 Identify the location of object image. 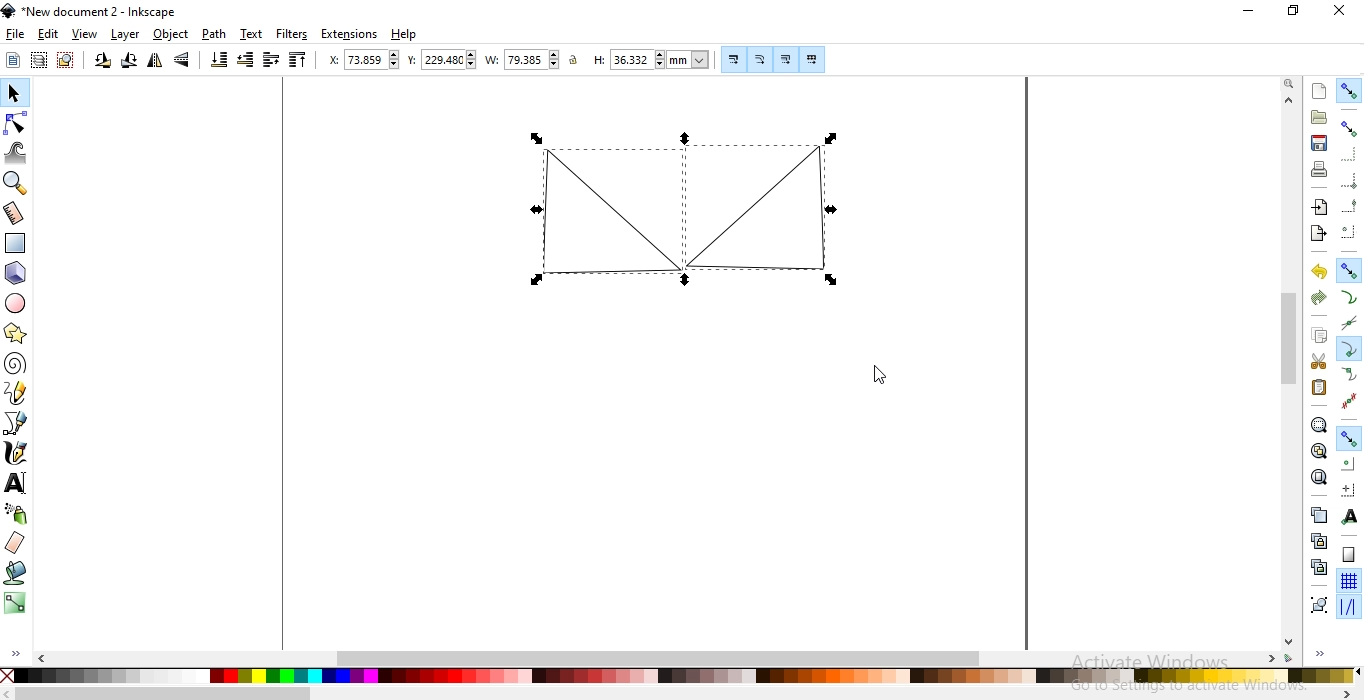
(602, 213).